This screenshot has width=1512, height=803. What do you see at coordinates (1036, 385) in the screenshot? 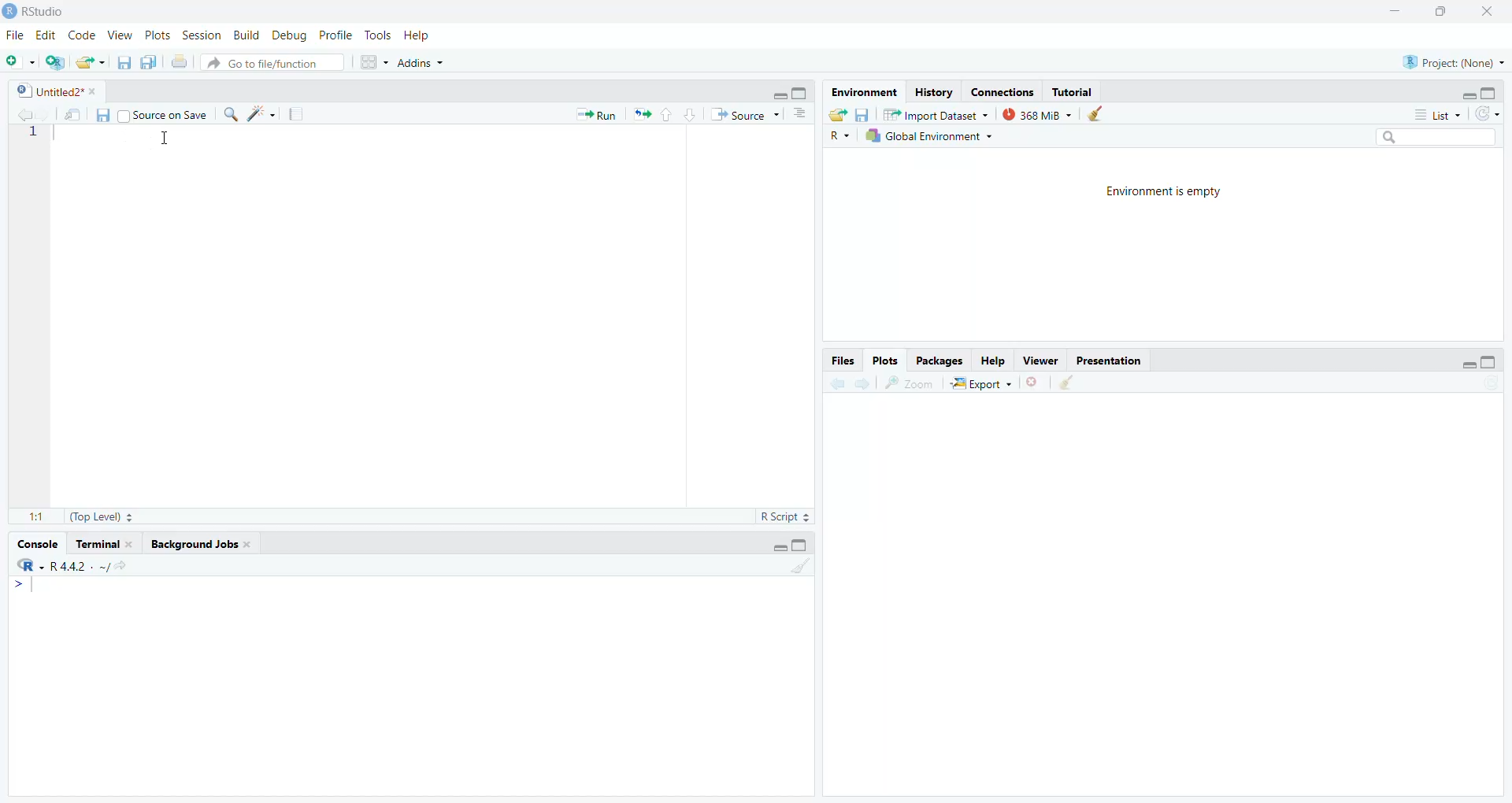
I see `close` at bounding box center [1036, 385].